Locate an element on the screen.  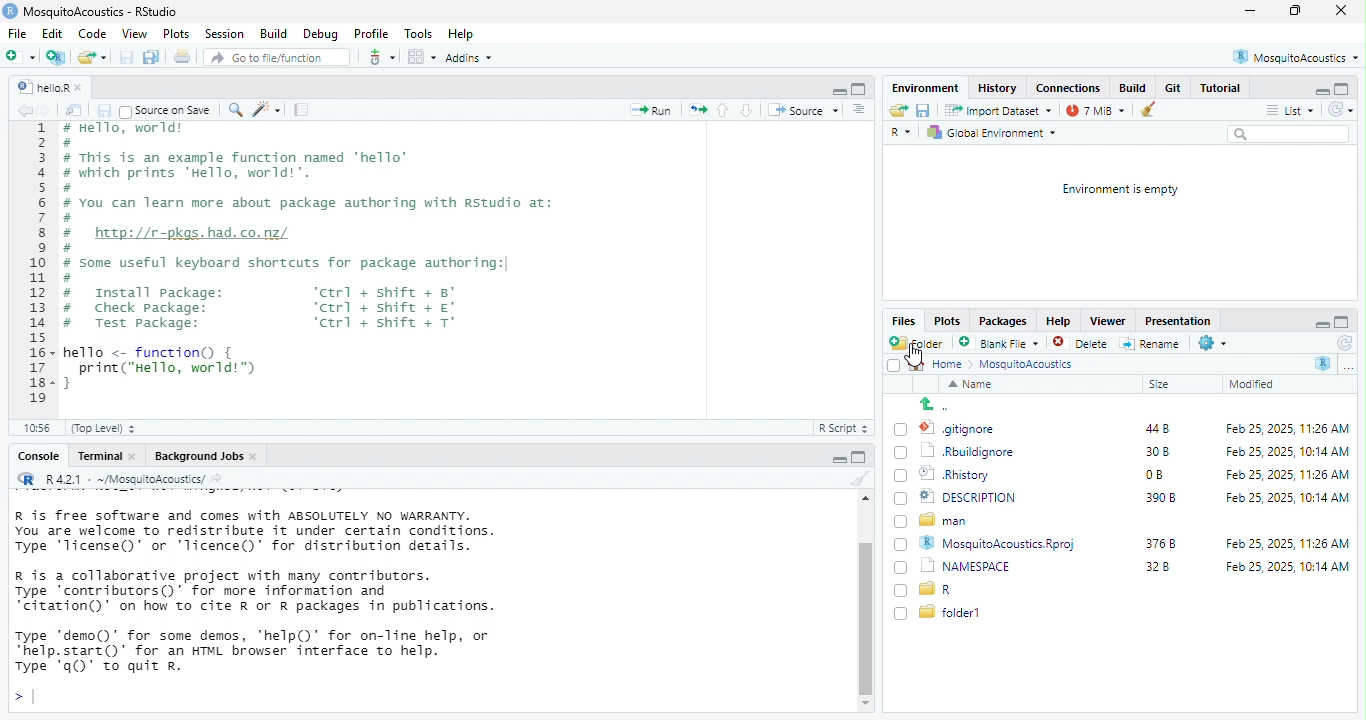
up to previous folder is located at coordinates (930, 406).